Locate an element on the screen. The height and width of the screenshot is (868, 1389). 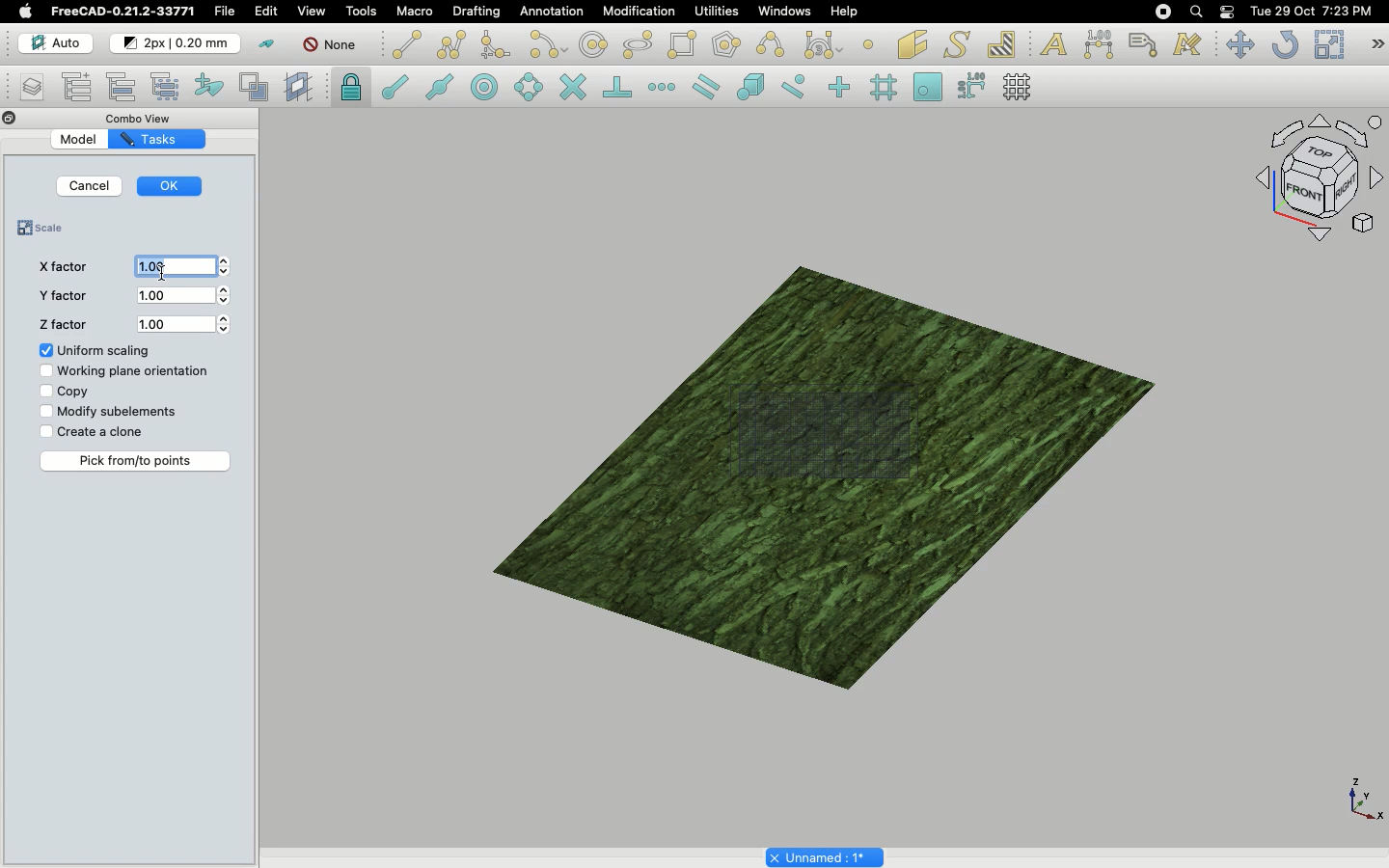
Add to construction group is located at coordinates (210, 89).